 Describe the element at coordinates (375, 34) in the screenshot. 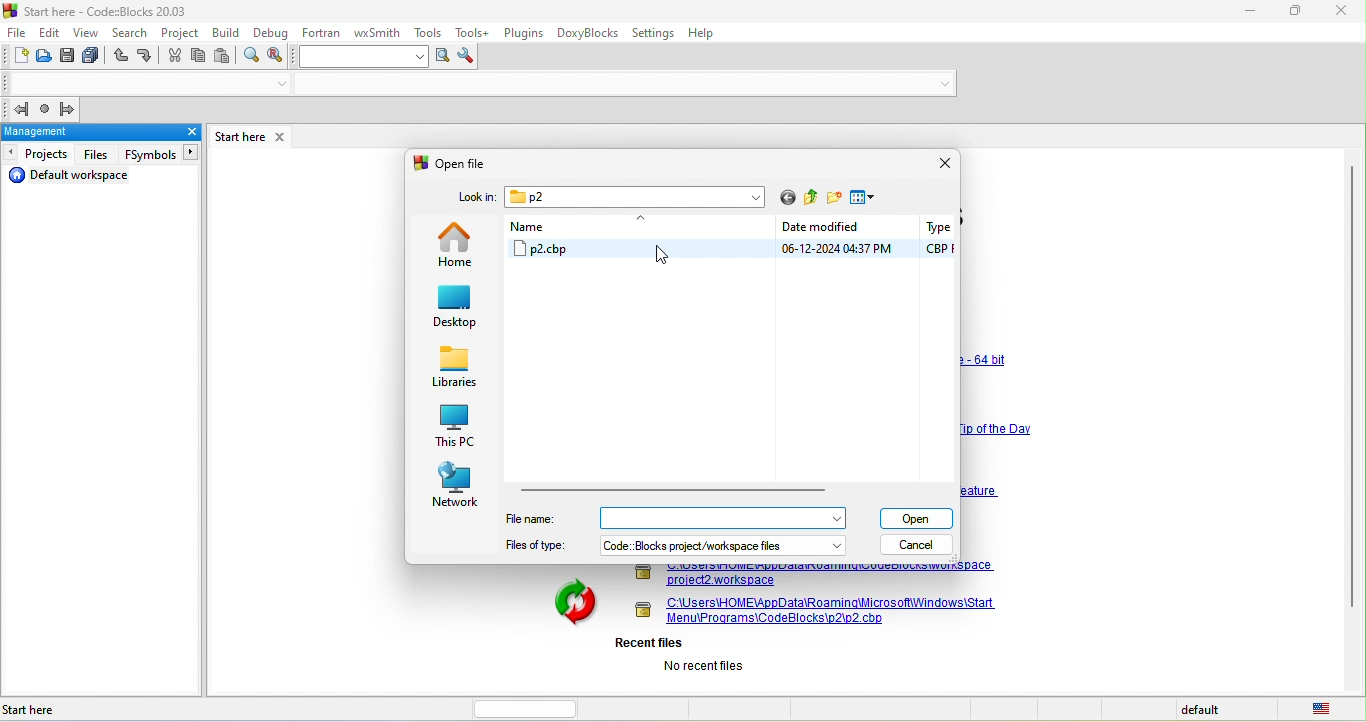

I see `wxsmith` at that location.